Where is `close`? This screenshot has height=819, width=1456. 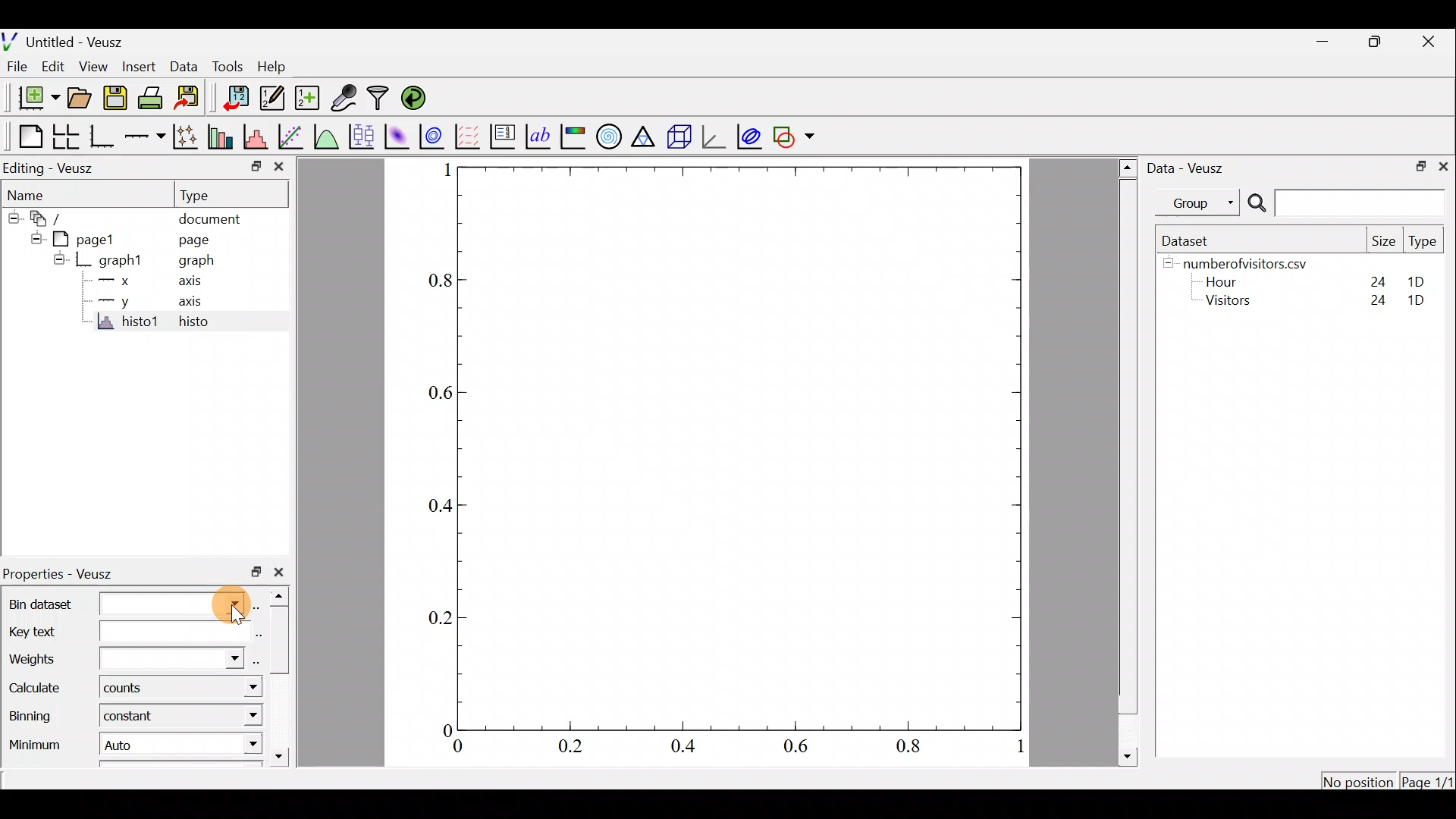 close is located at coordinates (1432, 44).